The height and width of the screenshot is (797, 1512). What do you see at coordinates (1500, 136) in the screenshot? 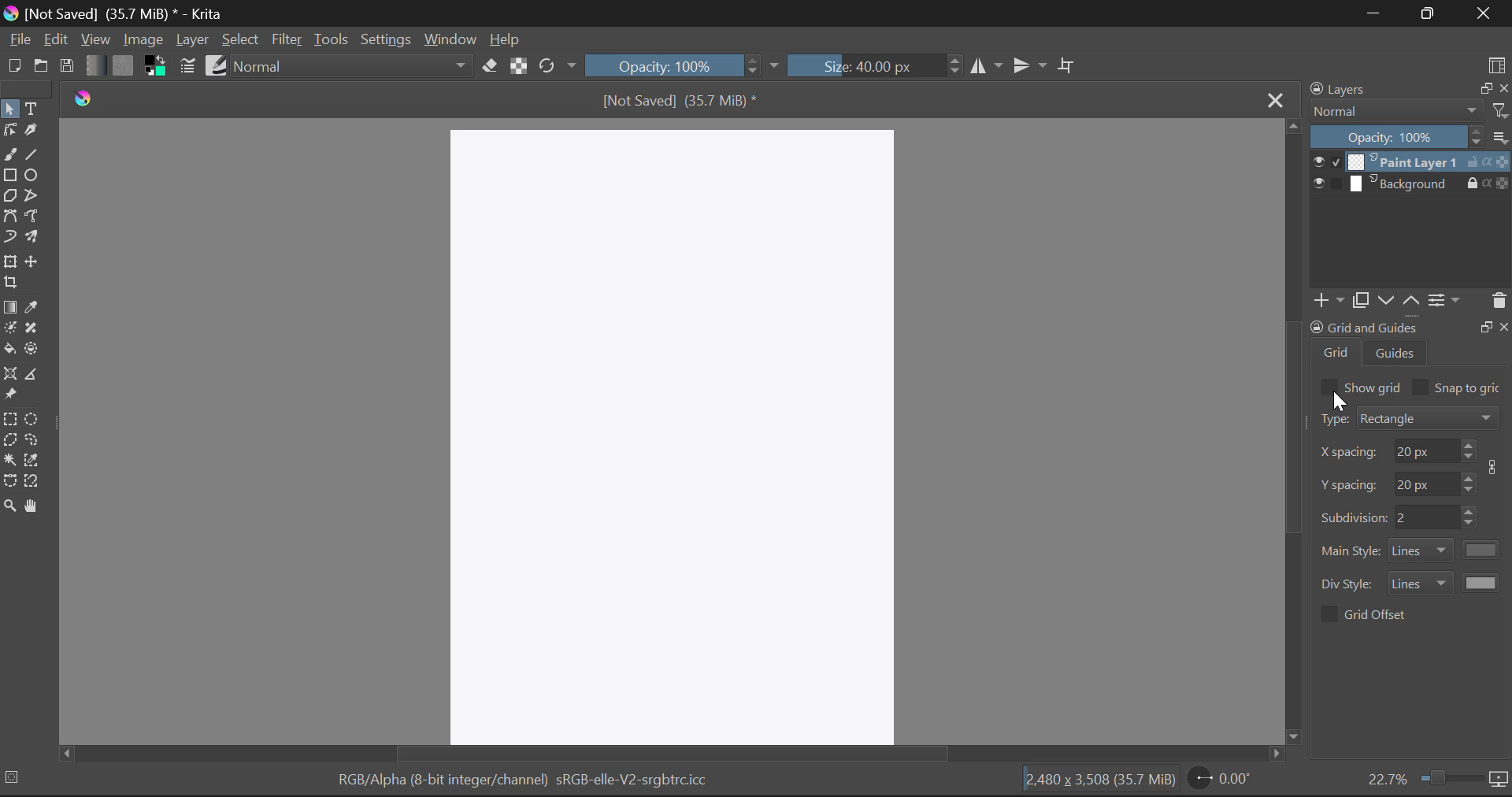
I see `more` at bounding box center [1500, 136].